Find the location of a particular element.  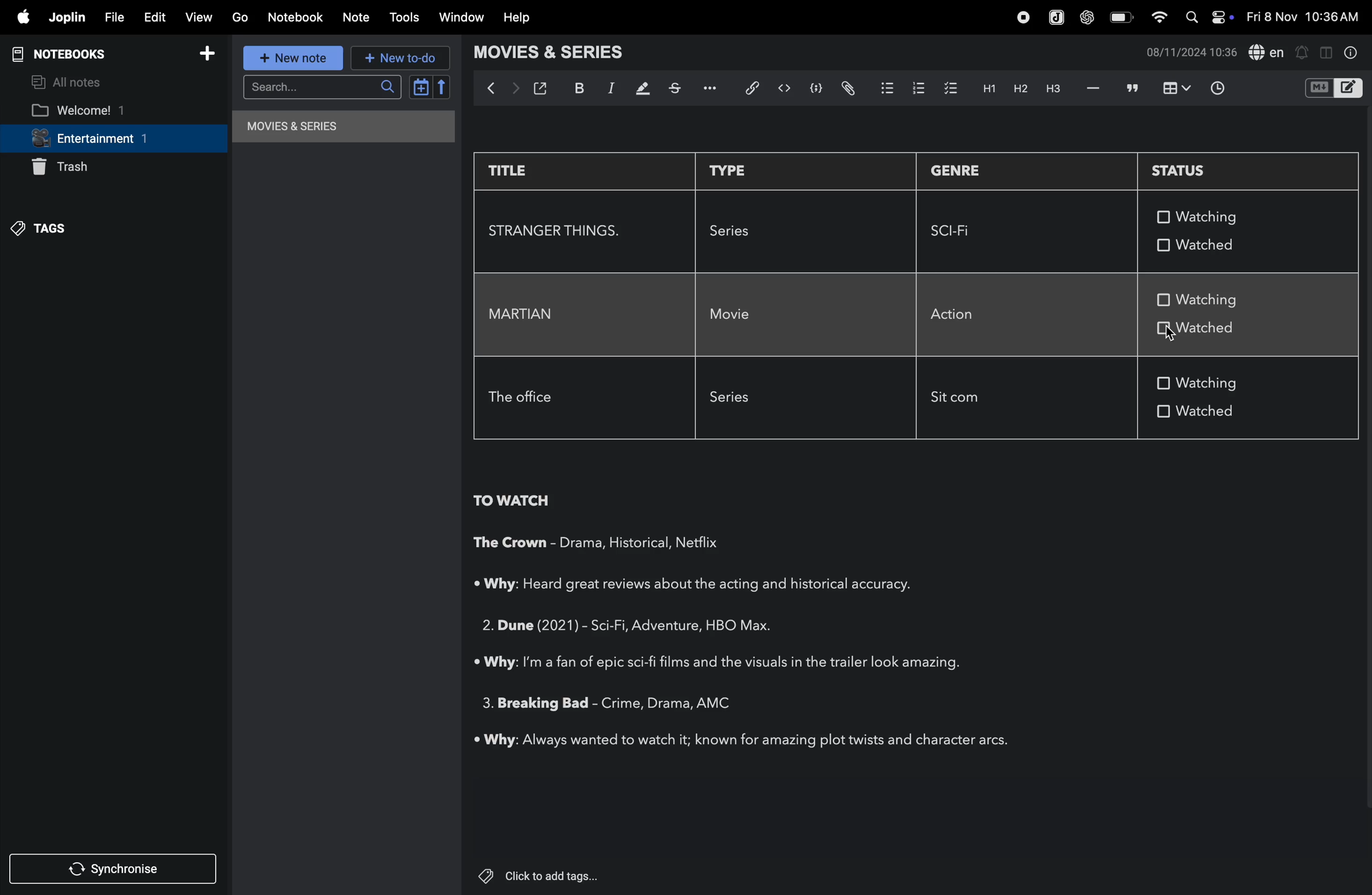

type is located at coordinates (733, 170).